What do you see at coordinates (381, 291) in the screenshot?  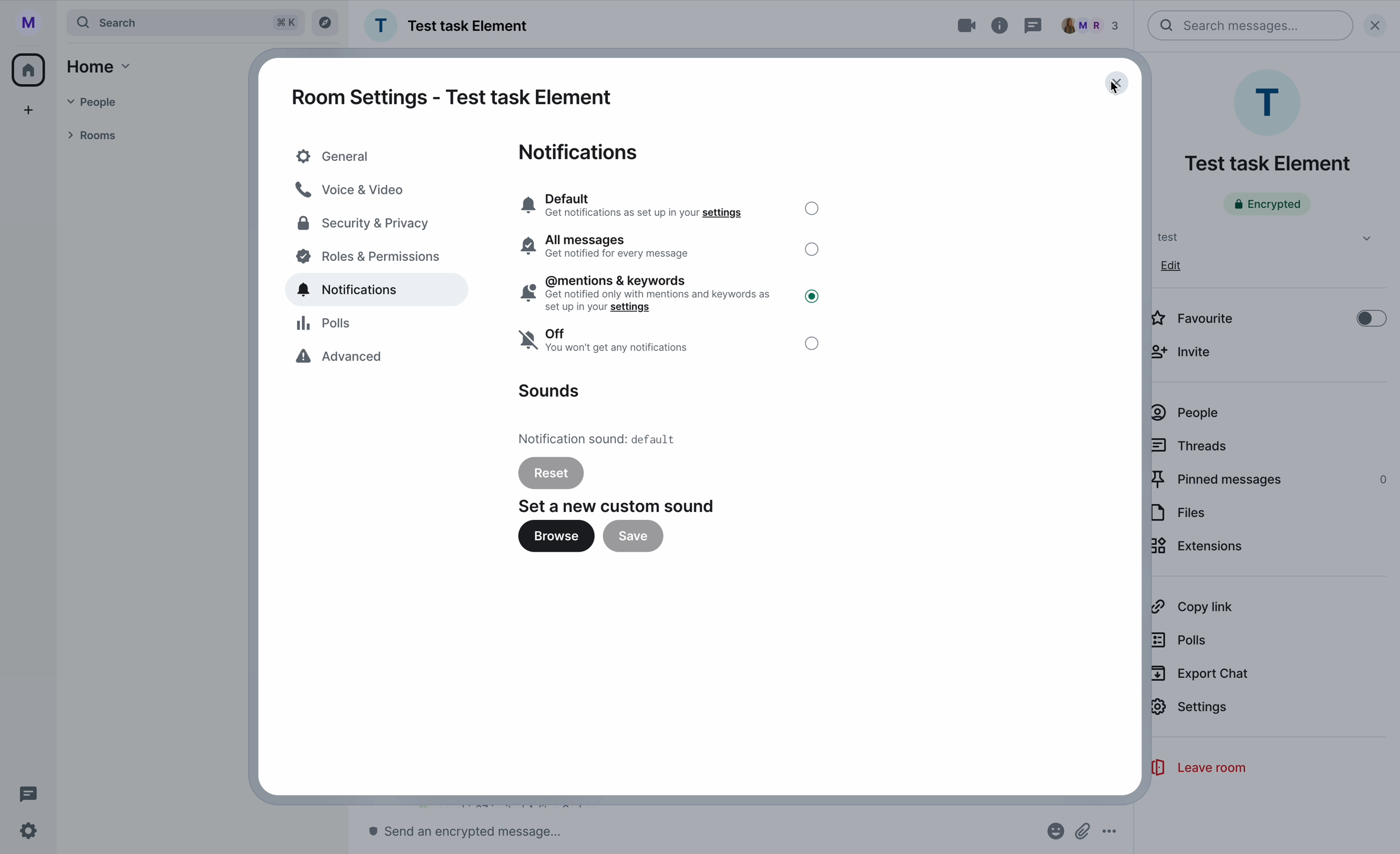 I see `click on notifications` at bounding box center [381, 291].